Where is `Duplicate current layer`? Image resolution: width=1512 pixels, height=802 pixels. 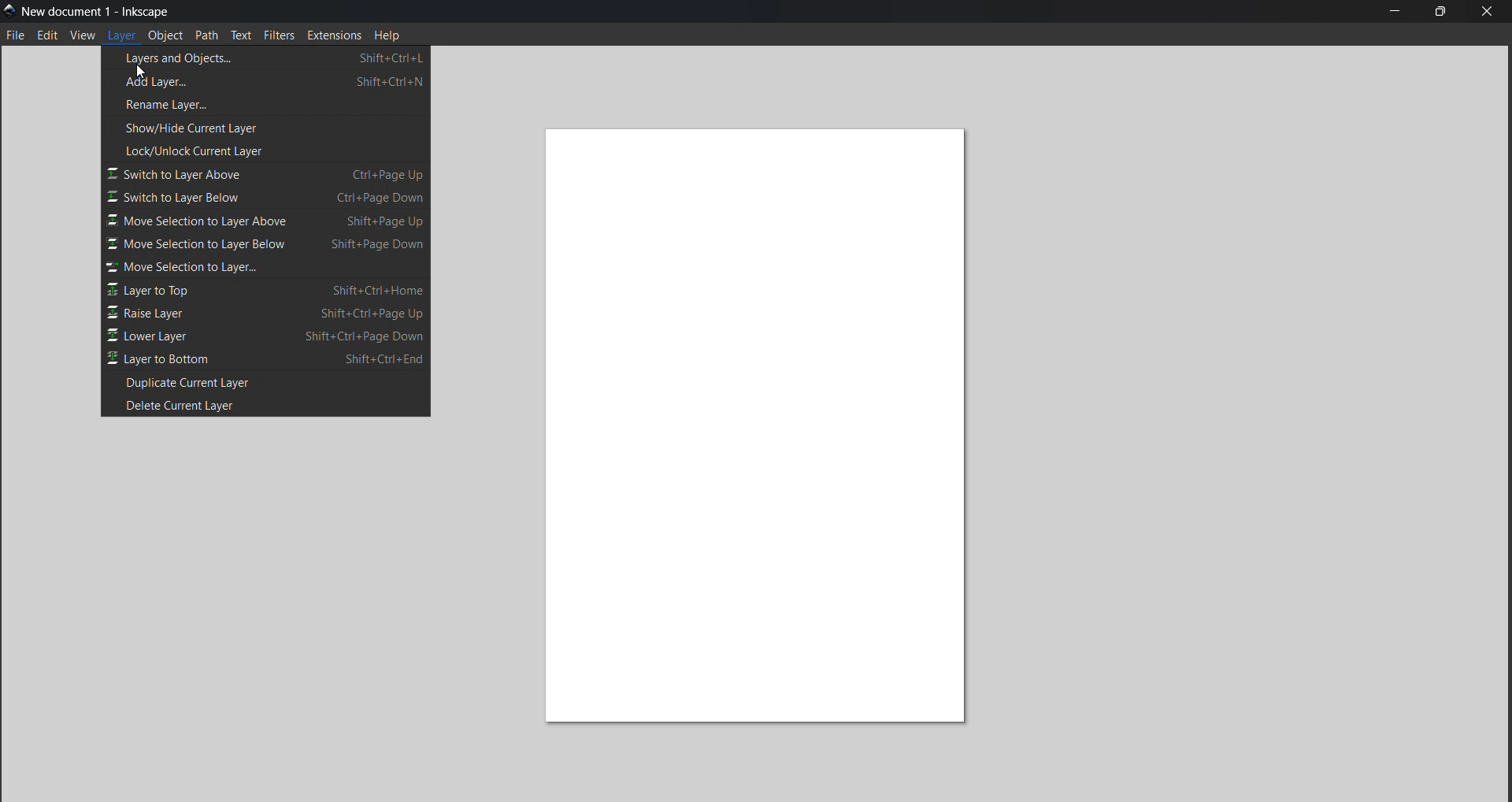
Duplicate current layer is located at coordinates (202, 382).